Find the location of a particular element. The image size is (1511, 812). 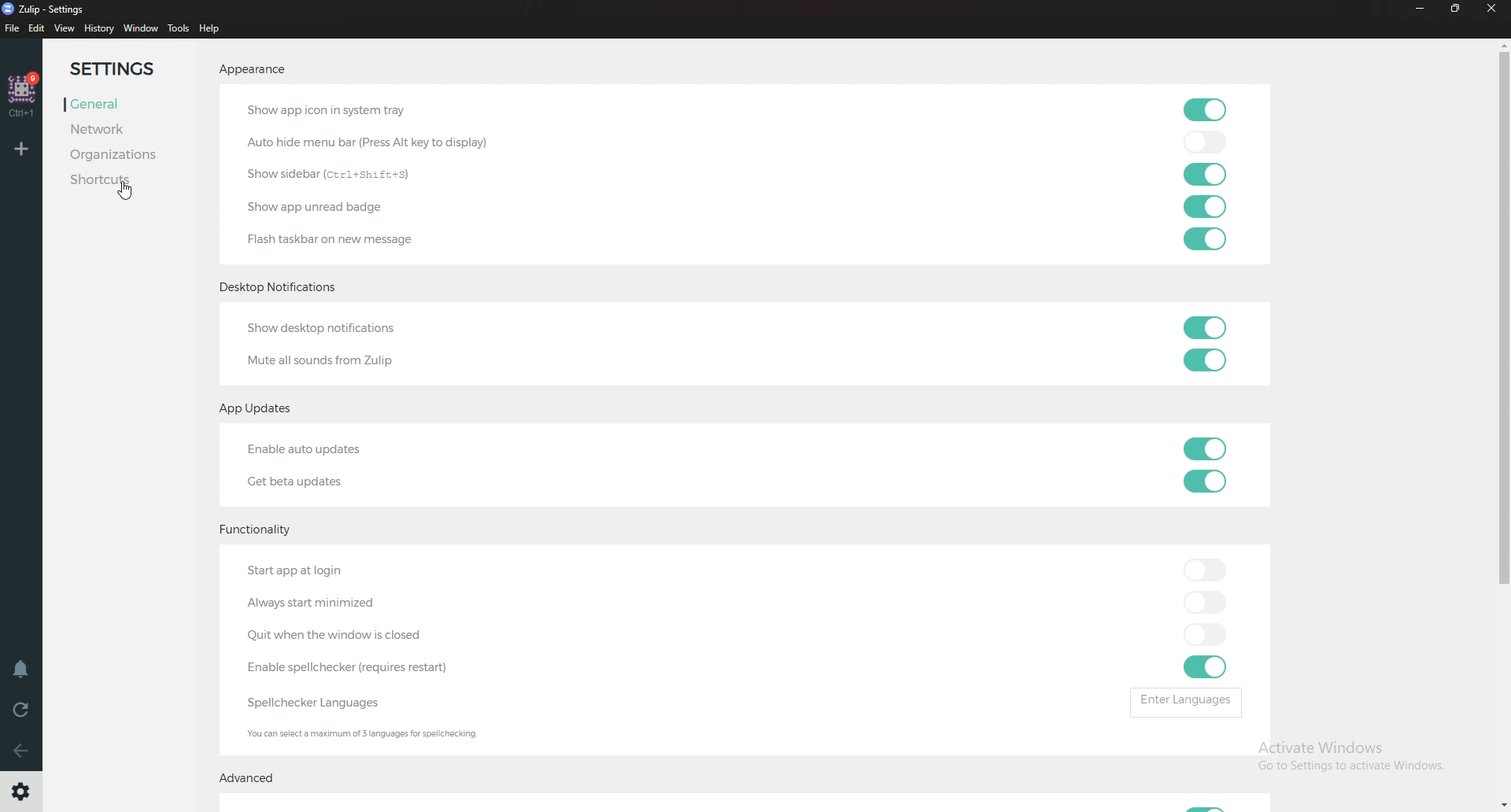

Appearance is located at coordinates (253, 70).